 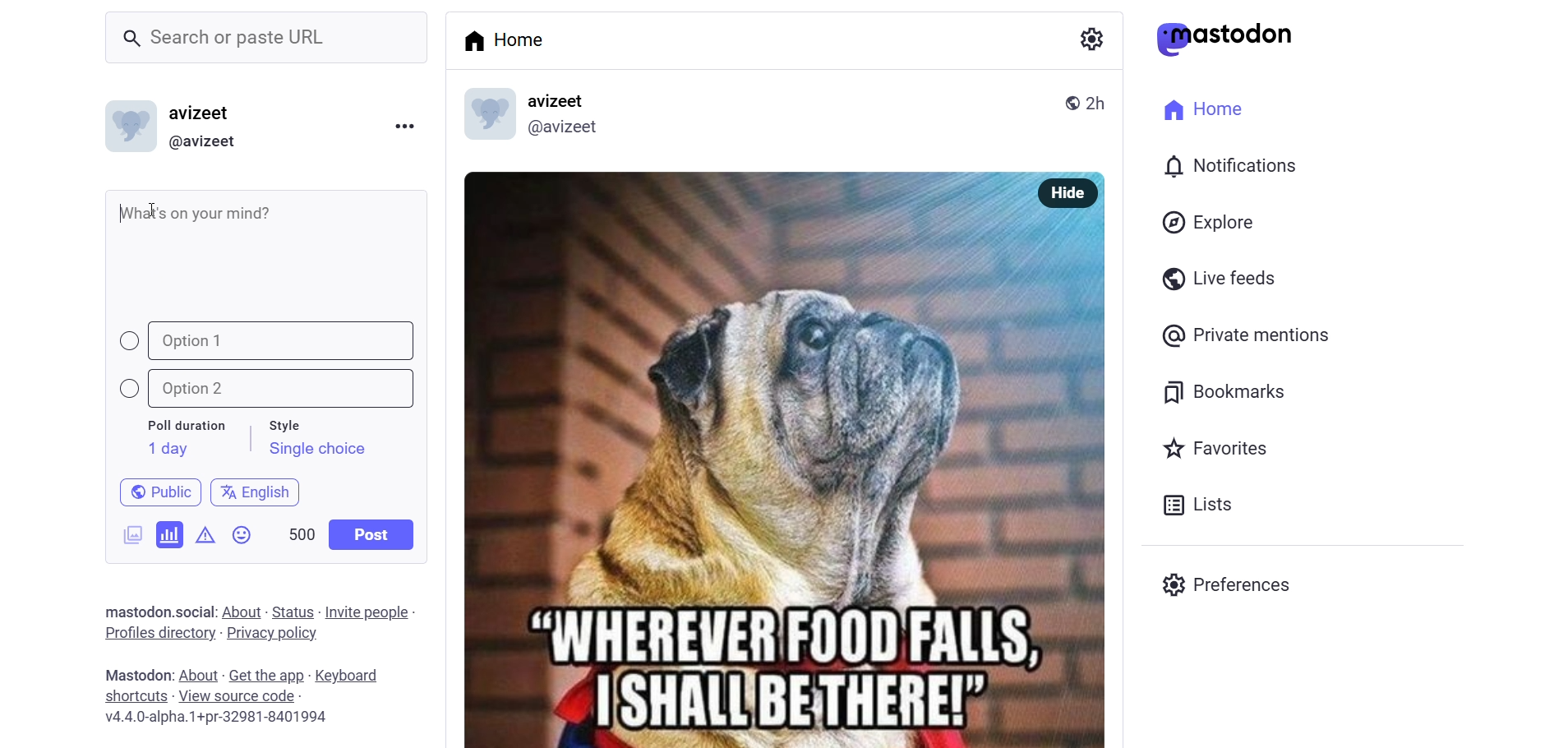 I want to click on keyboard, so click(x=354, y=676).